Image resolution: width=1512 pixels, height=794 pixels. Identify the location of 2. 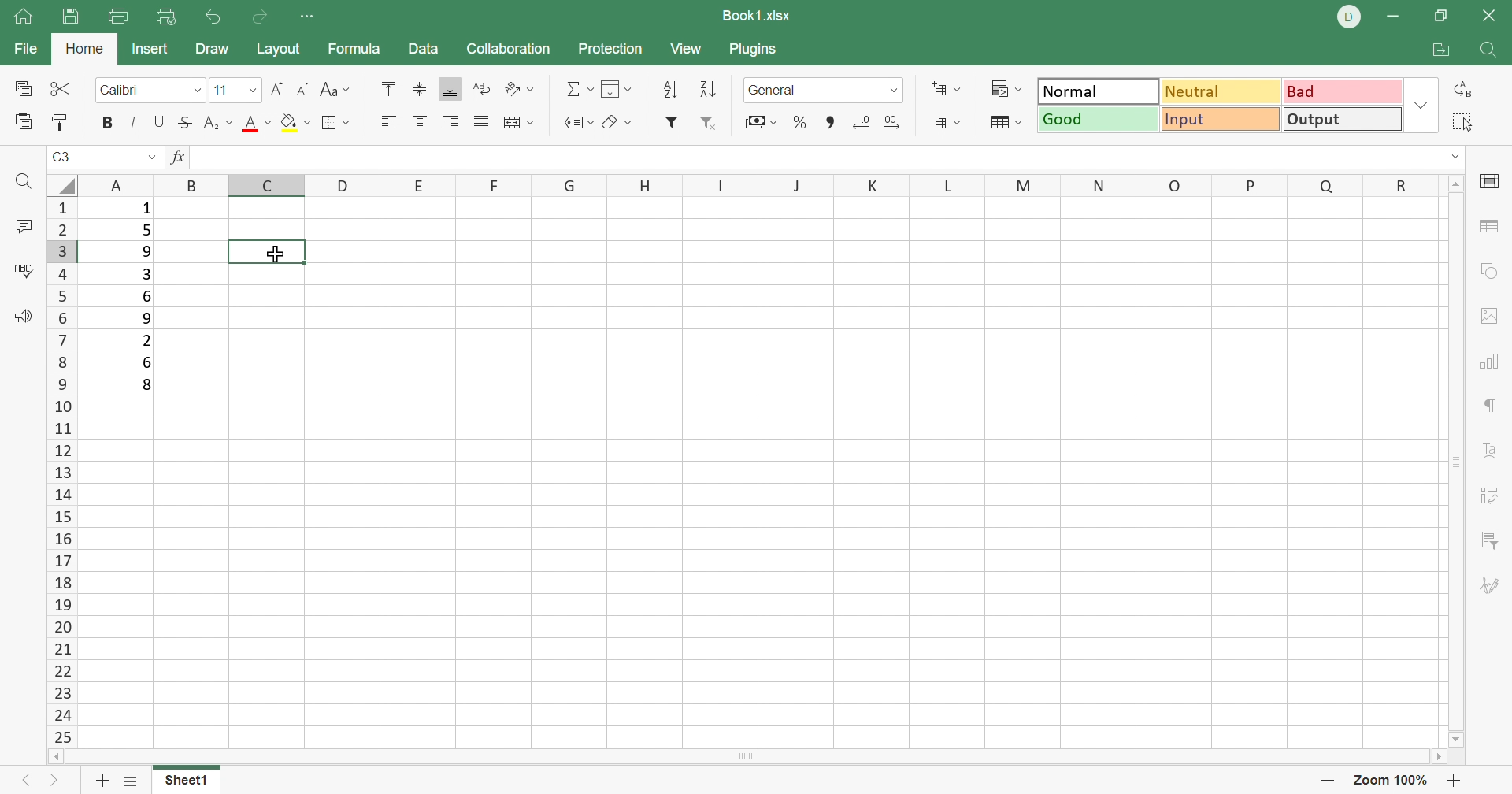
(146, 340).